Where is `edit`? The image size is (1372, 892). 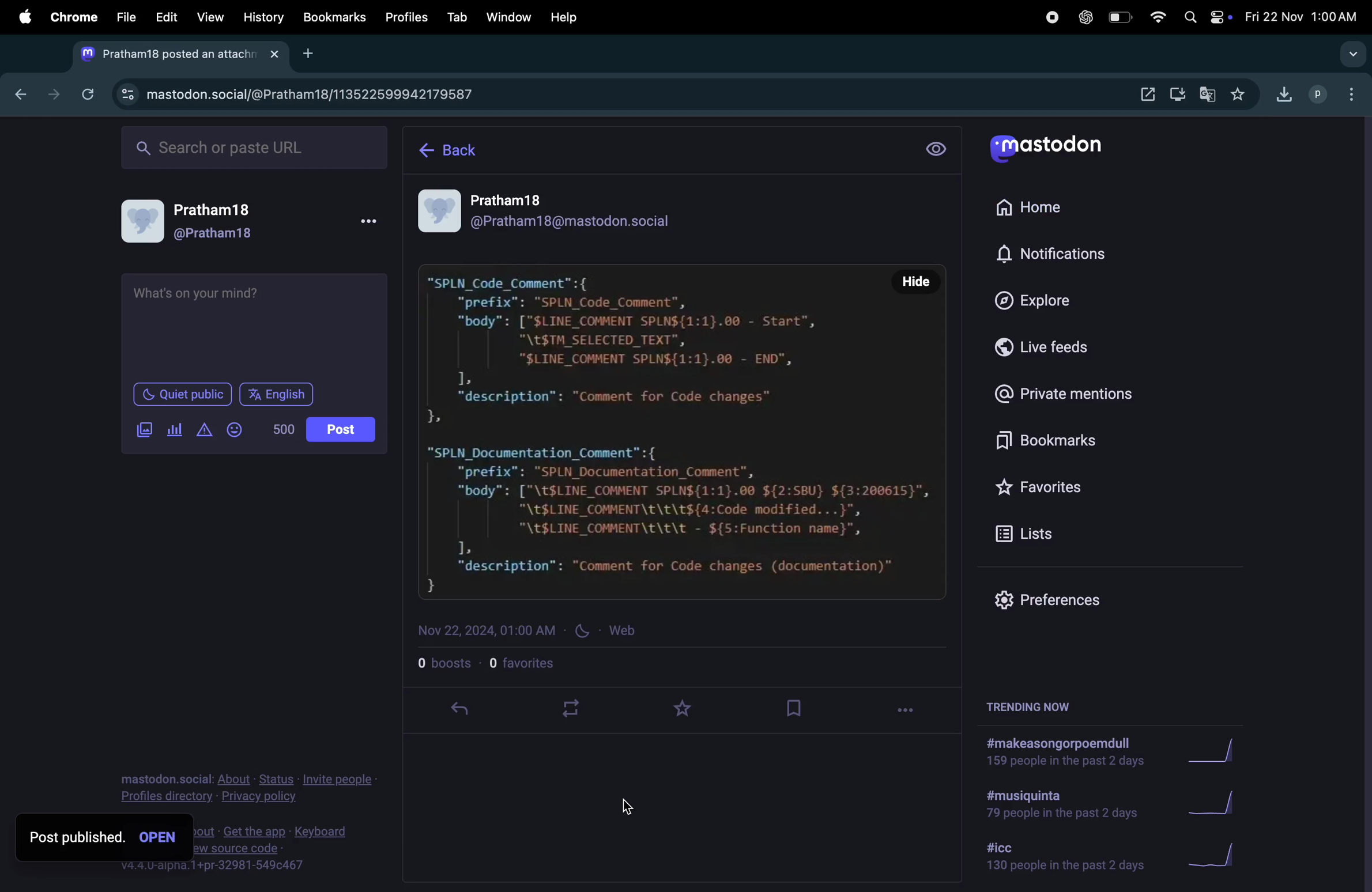
edit is located at coordinates (166, 17).